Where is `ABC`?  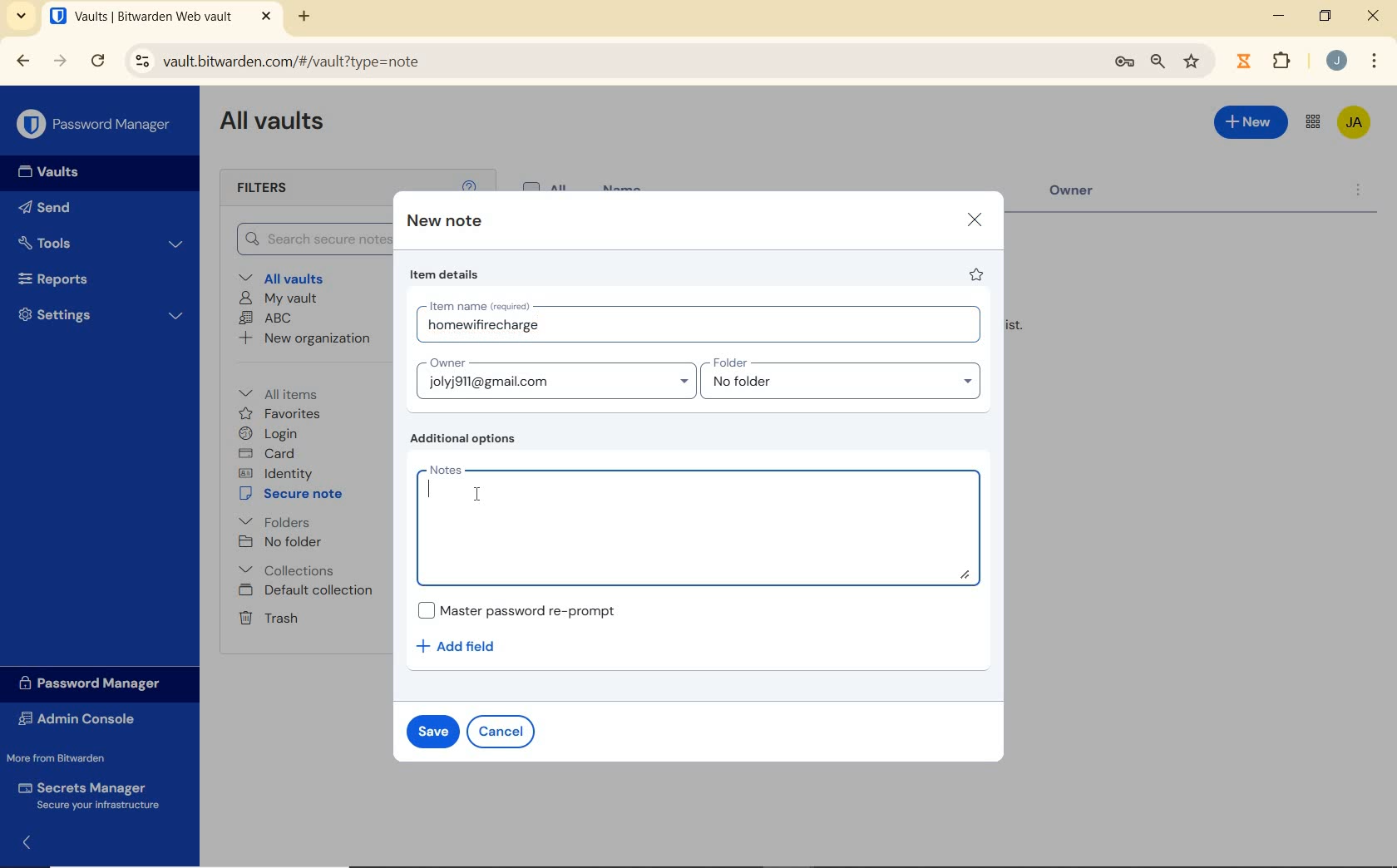 ABC is located at coordinates (266, 319).